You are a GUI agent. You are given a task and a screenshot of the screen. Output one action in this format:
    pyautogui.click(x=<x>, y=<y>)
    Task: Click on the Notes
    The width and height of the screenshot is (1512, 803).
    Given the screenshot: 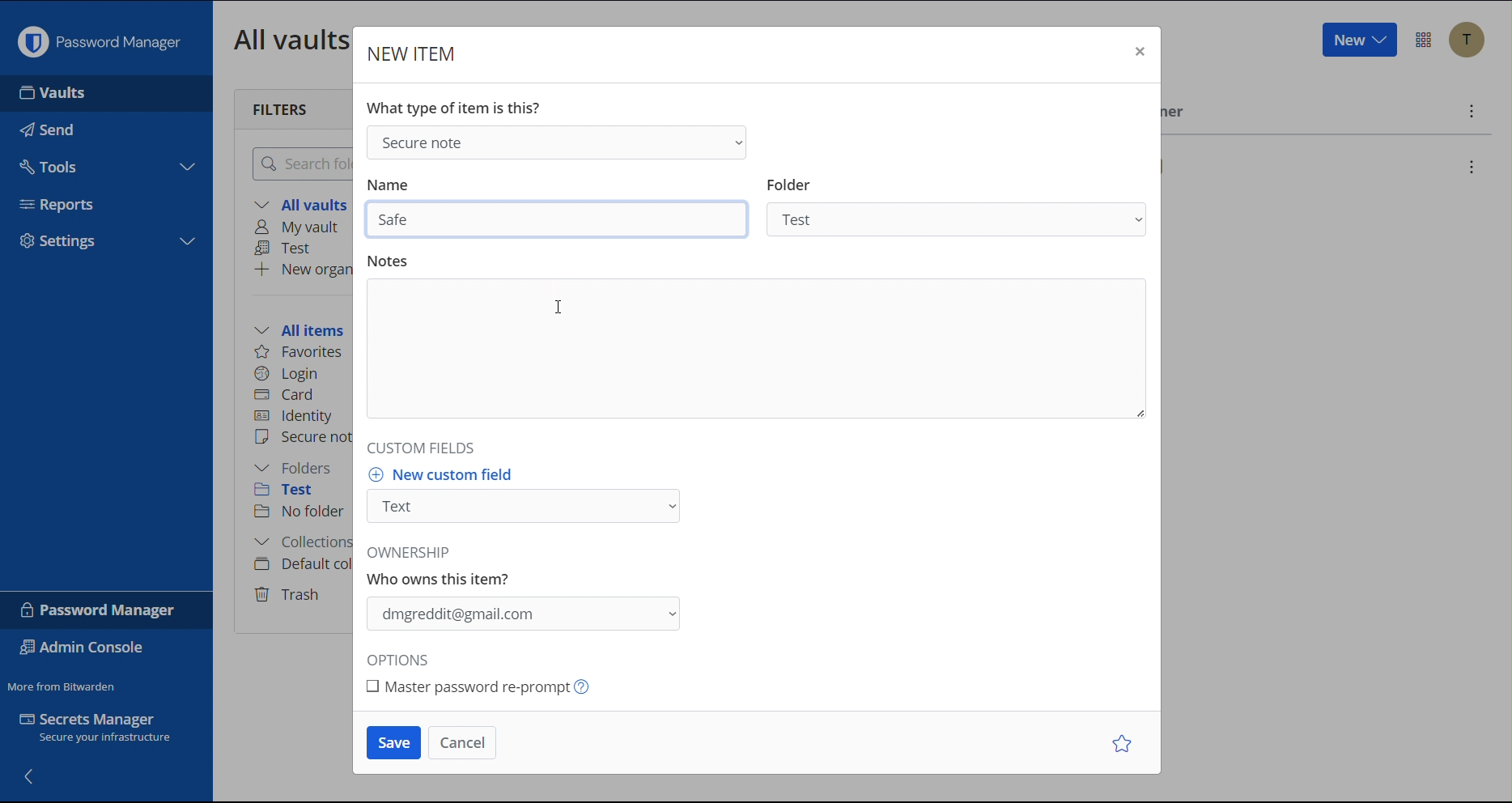 What is the action you would take?
    pyautogui.click(x=760, y=348)
    